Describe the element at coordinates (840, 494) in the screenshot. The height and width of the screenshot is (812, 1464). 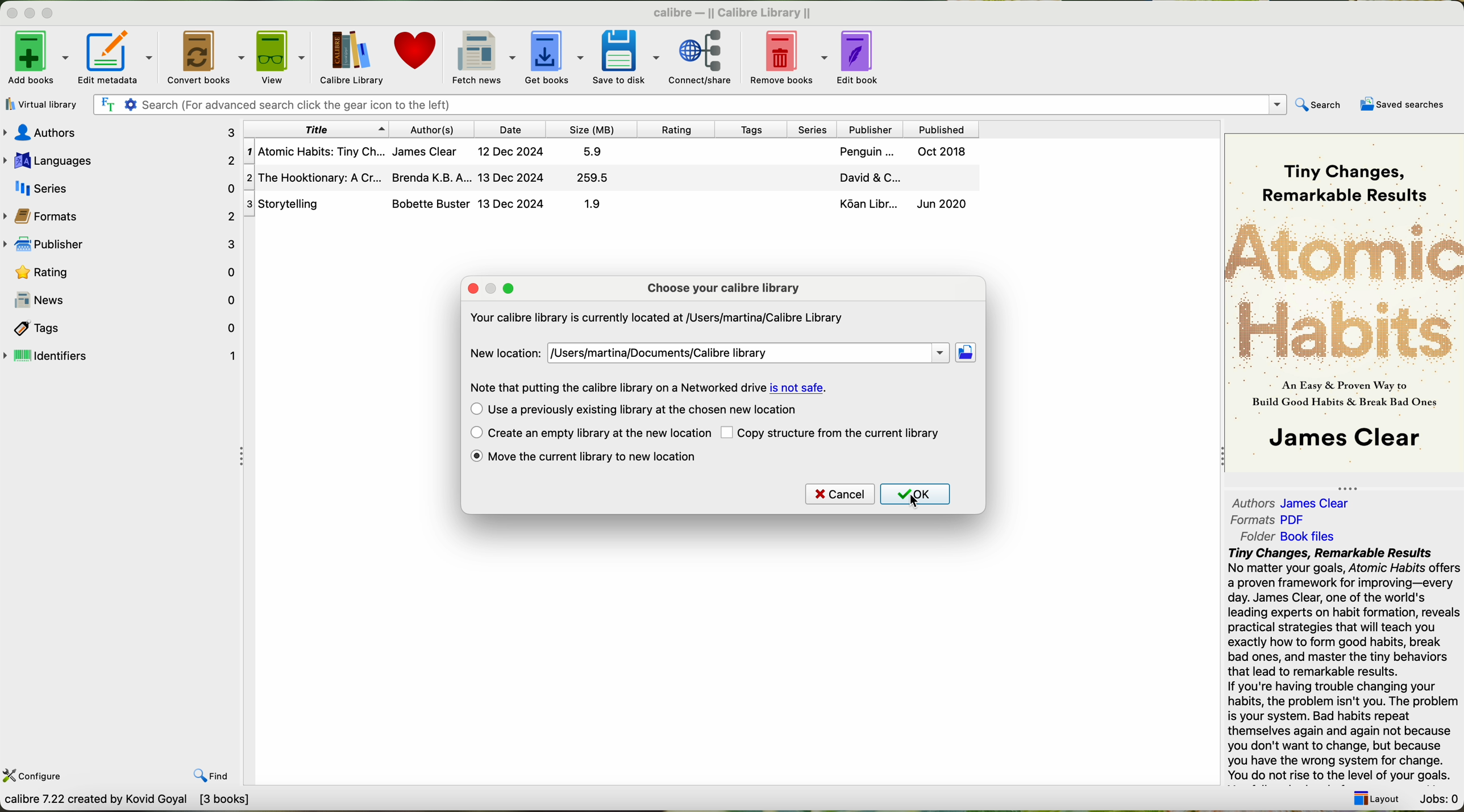
I see `cancel` at that location.